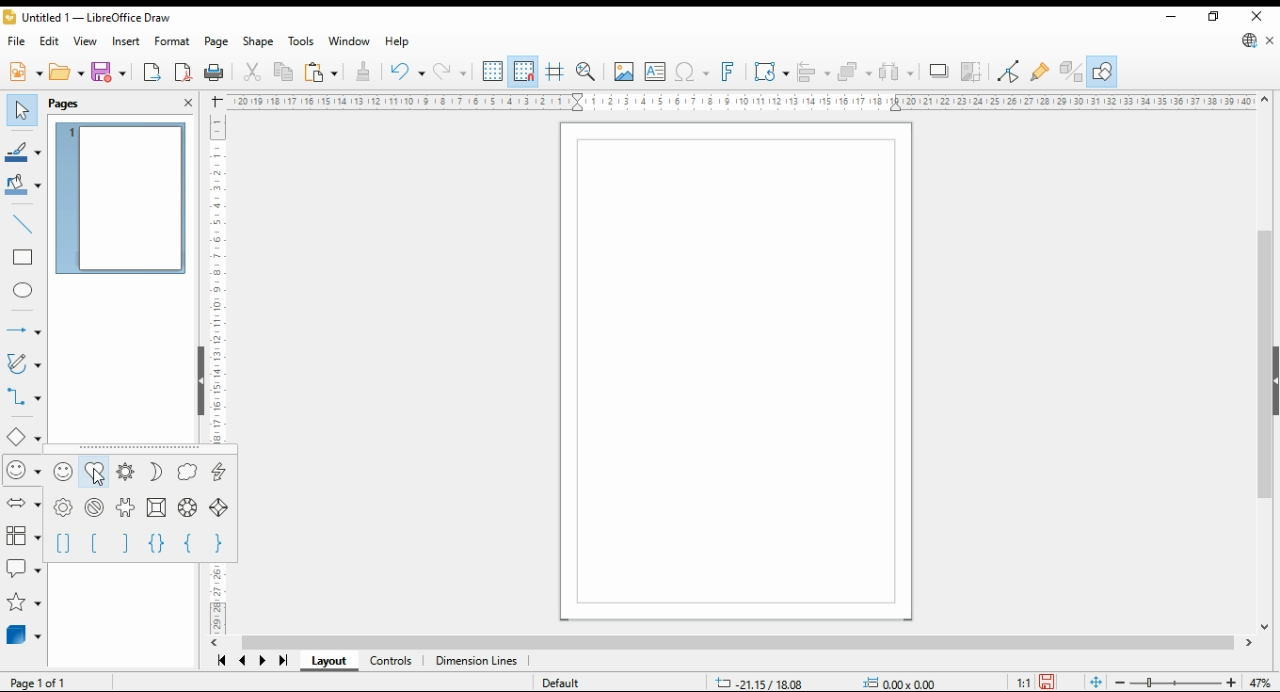 This screenshot has width=1280, height=692. What do you see at coordinates (155, 508) in the screenshot?
I see `square bevel` at bounding box center [155, 508].